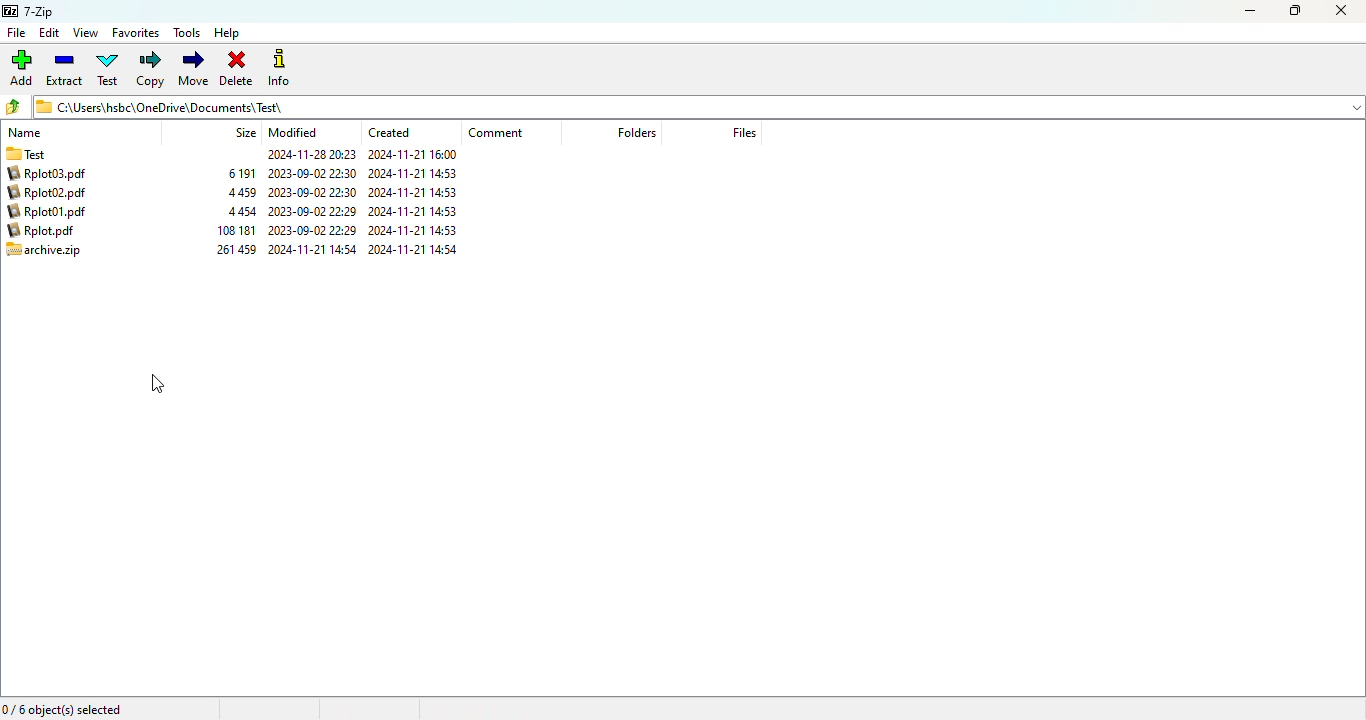 The height and width of the screenshot is (720, 1366). Describe the element at coordinates (416, 172) in the screenshot. I see `2024-11-21 14:54` at that location.